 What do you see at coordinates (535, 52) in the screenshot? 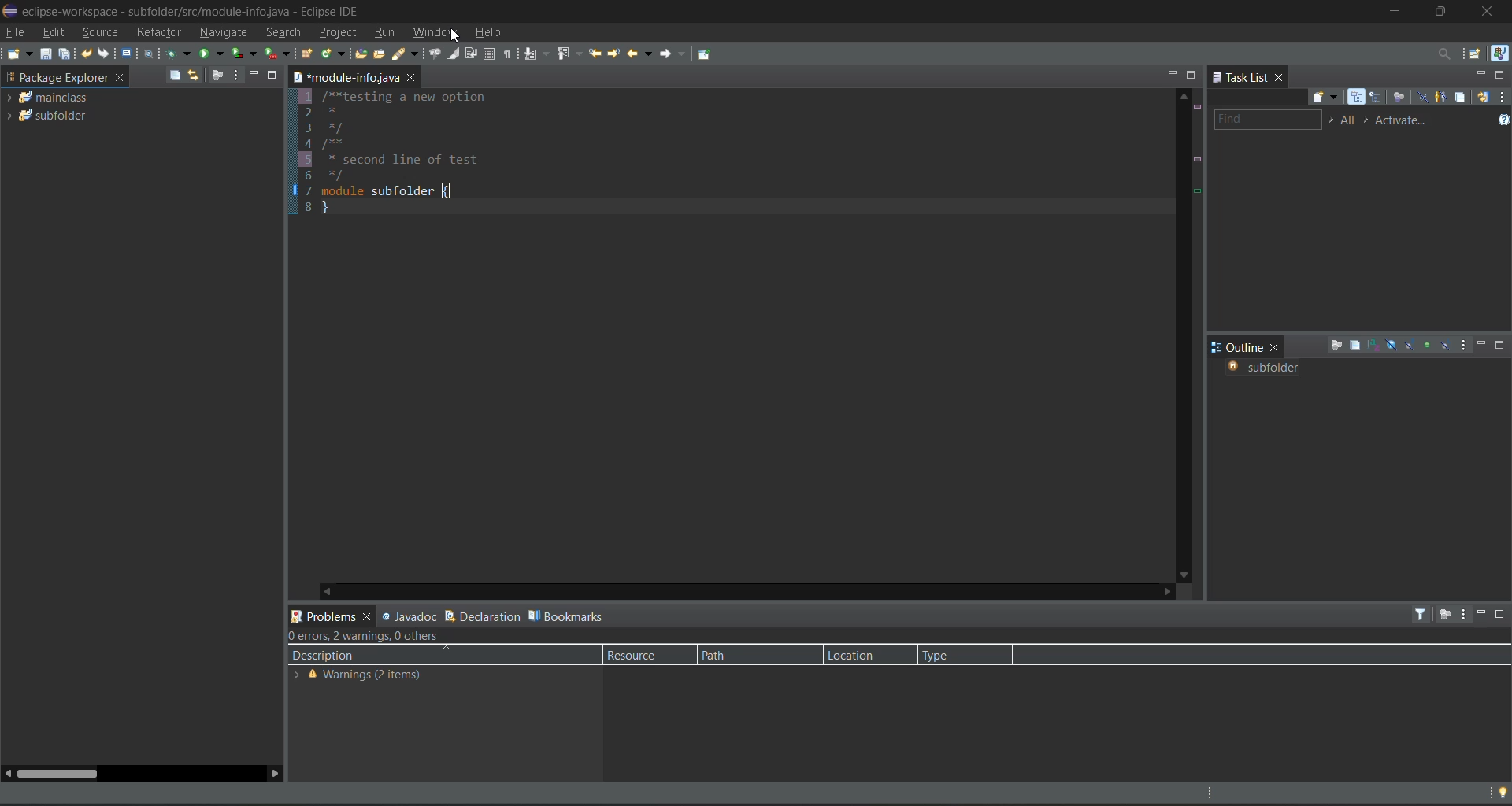
I see `next annotation` at bounding box center [535, 52].